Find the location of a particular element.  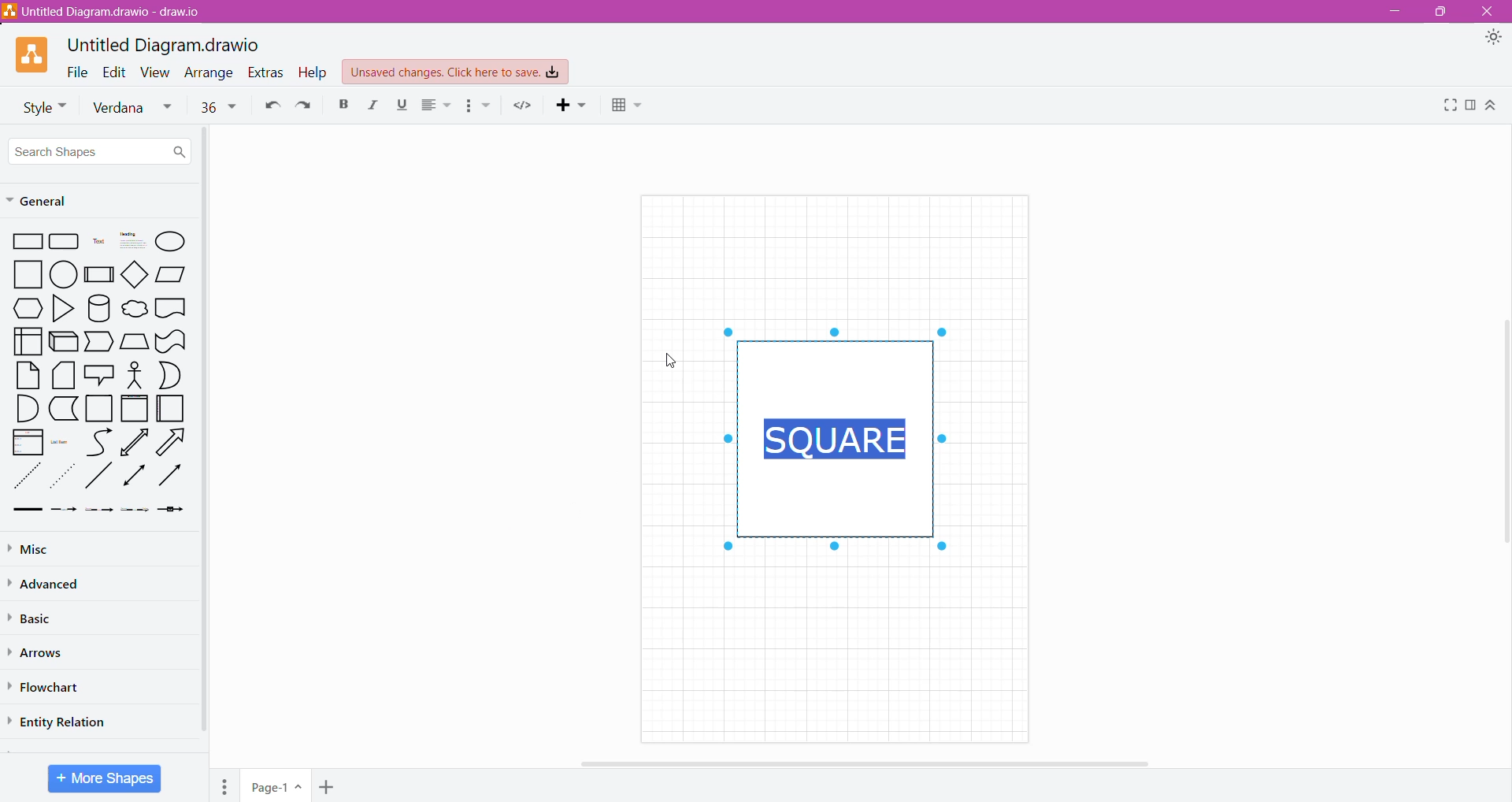

Text frame is located at coordinates (836, 440).